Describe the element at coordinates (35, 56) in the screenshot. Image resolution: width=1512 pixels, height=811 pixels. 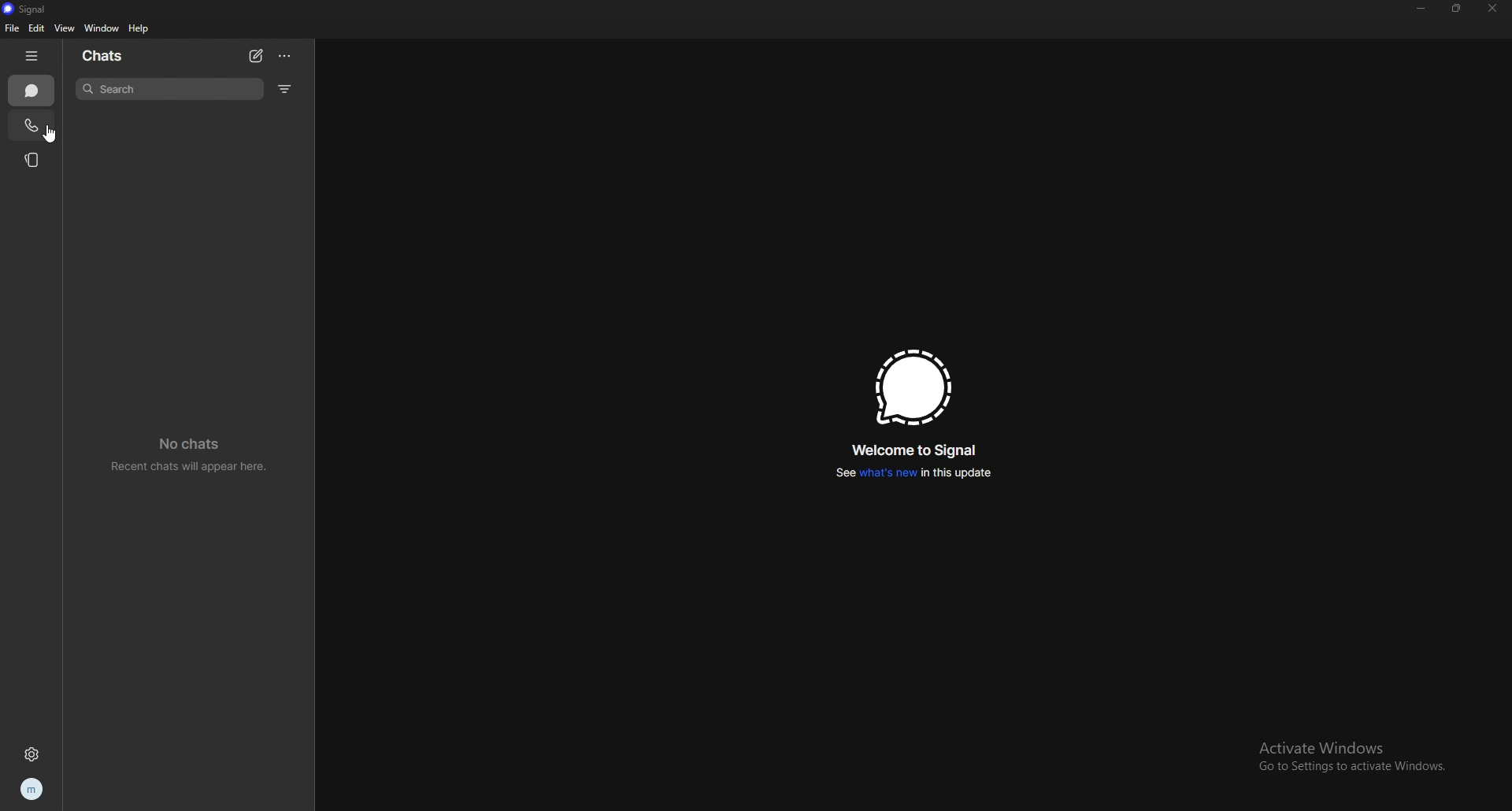
I see `hide tab` at that location.